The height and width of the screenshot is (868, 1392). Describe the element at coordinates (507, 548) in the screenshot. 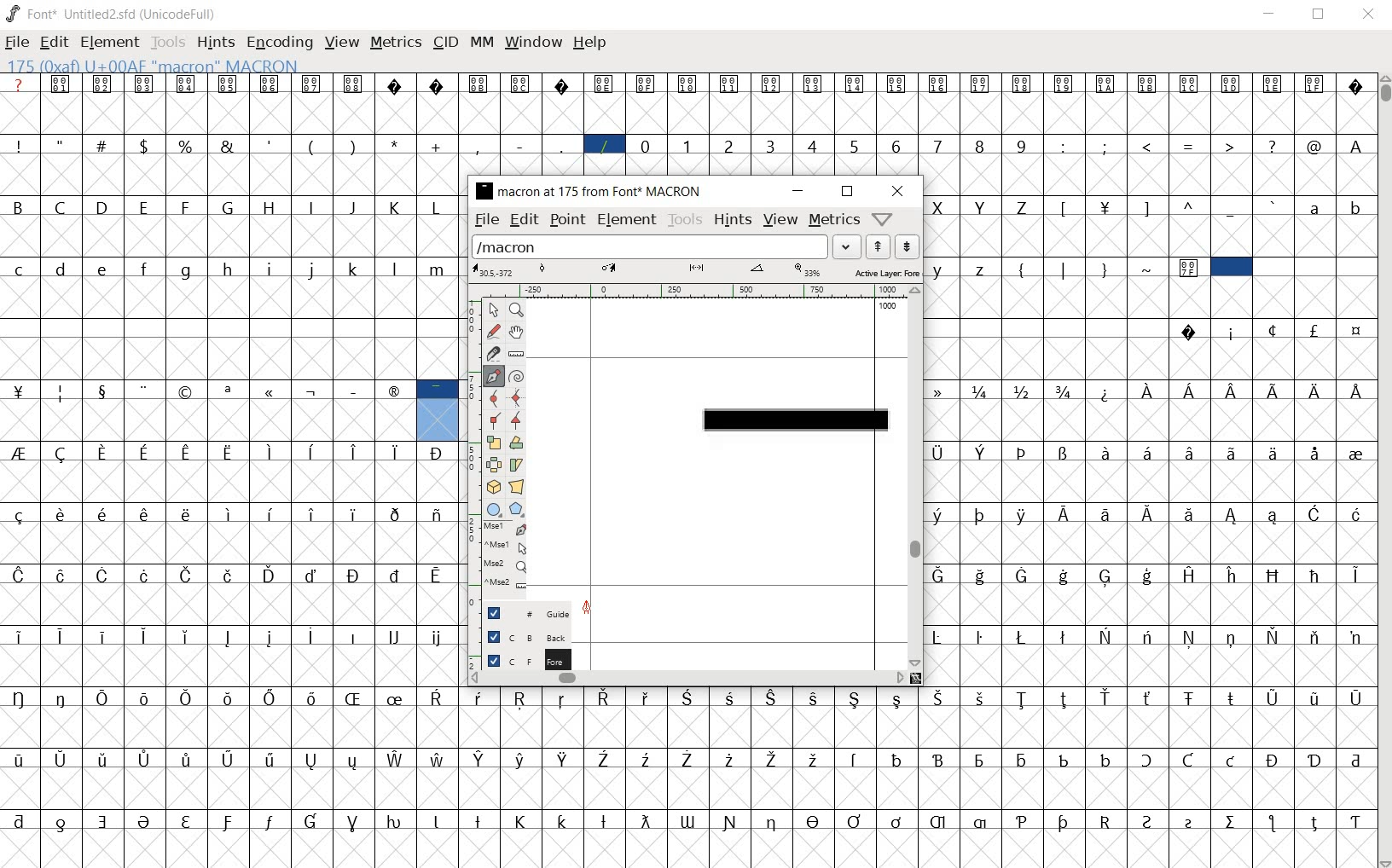

I see `Mouse left button + Ctrl` at that location.